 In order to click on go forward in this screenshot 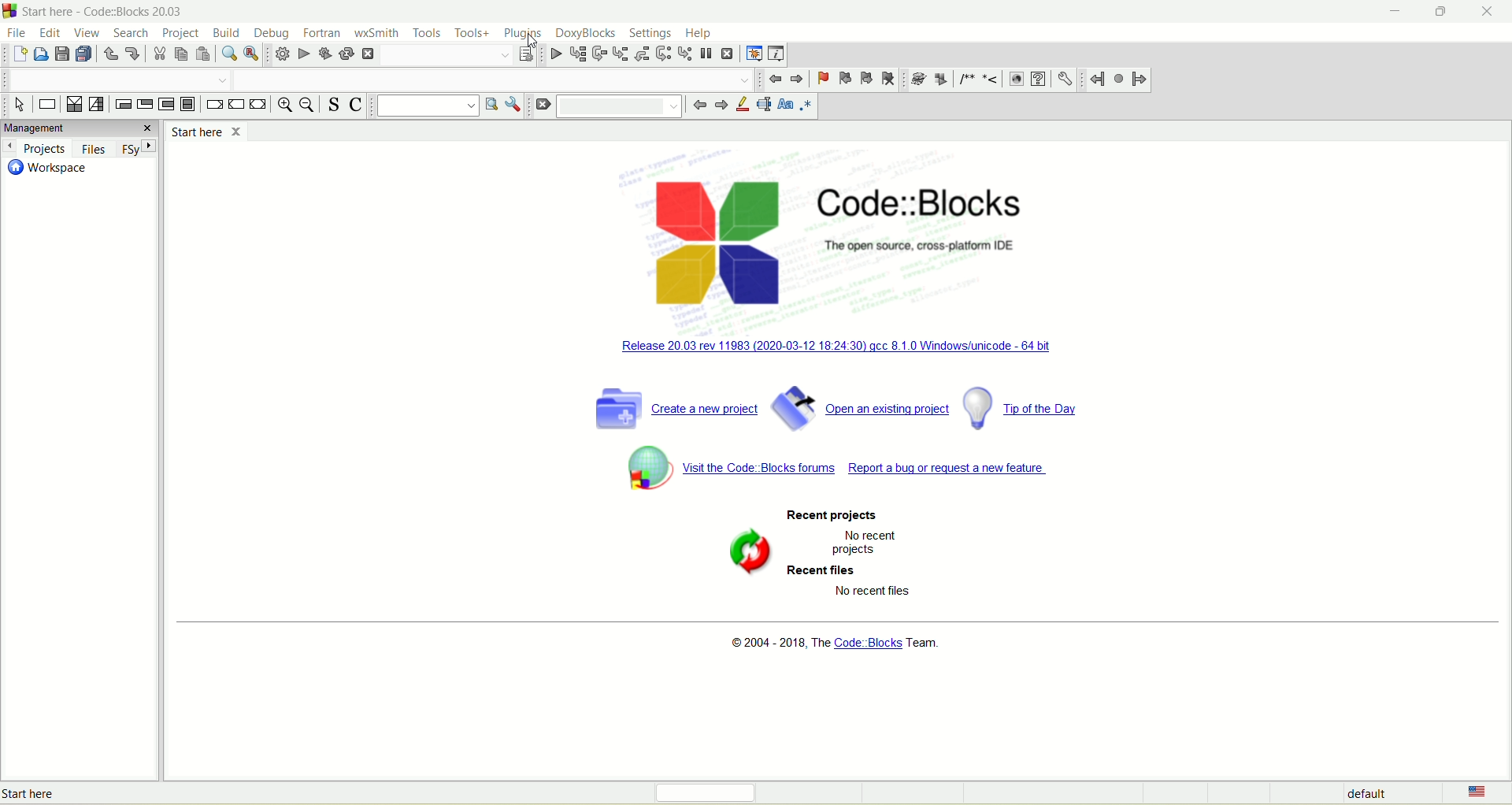, I will do `click(721, 105)`.